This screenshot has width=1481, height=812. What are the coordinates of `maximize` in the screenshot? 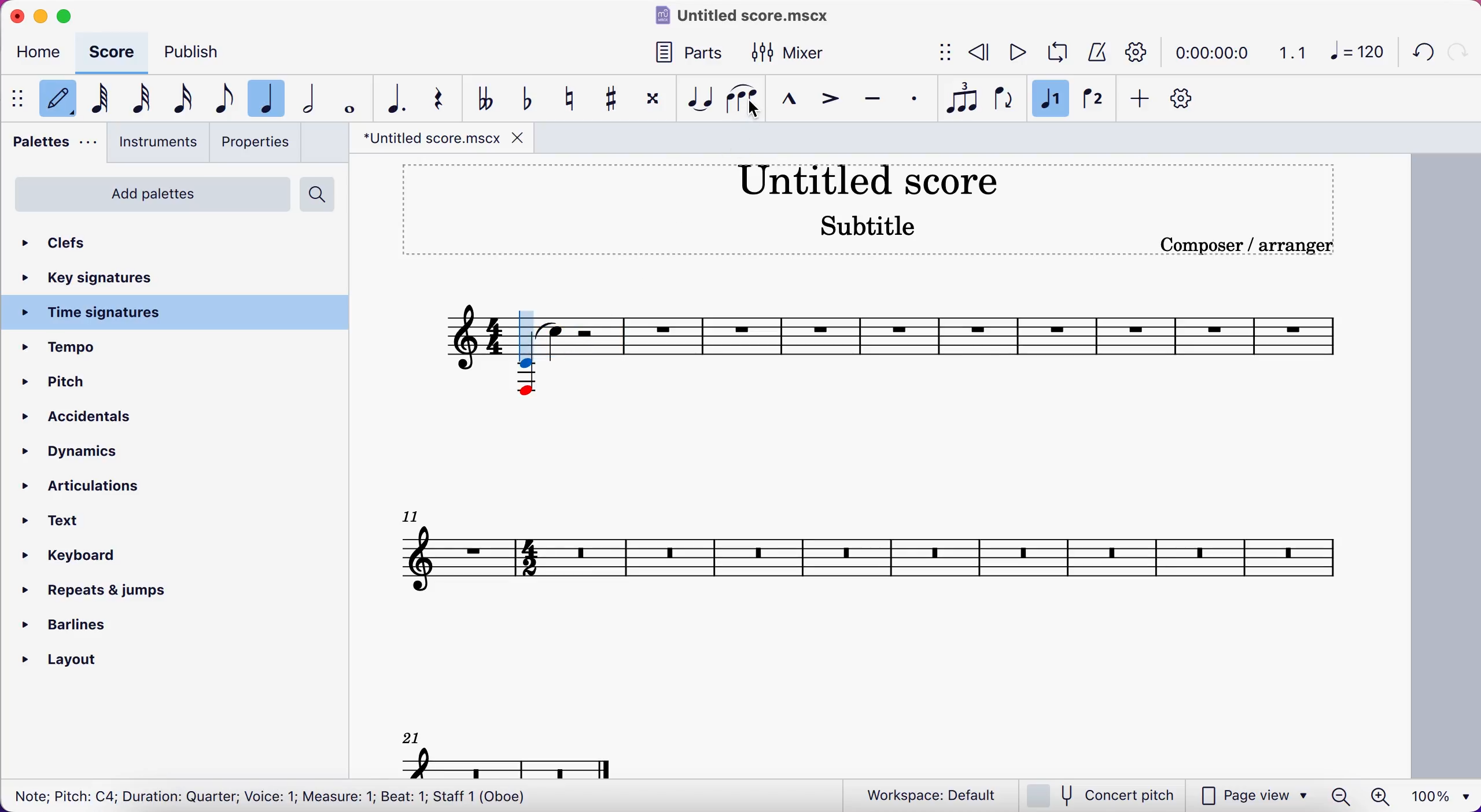 It's located at (73, 17).